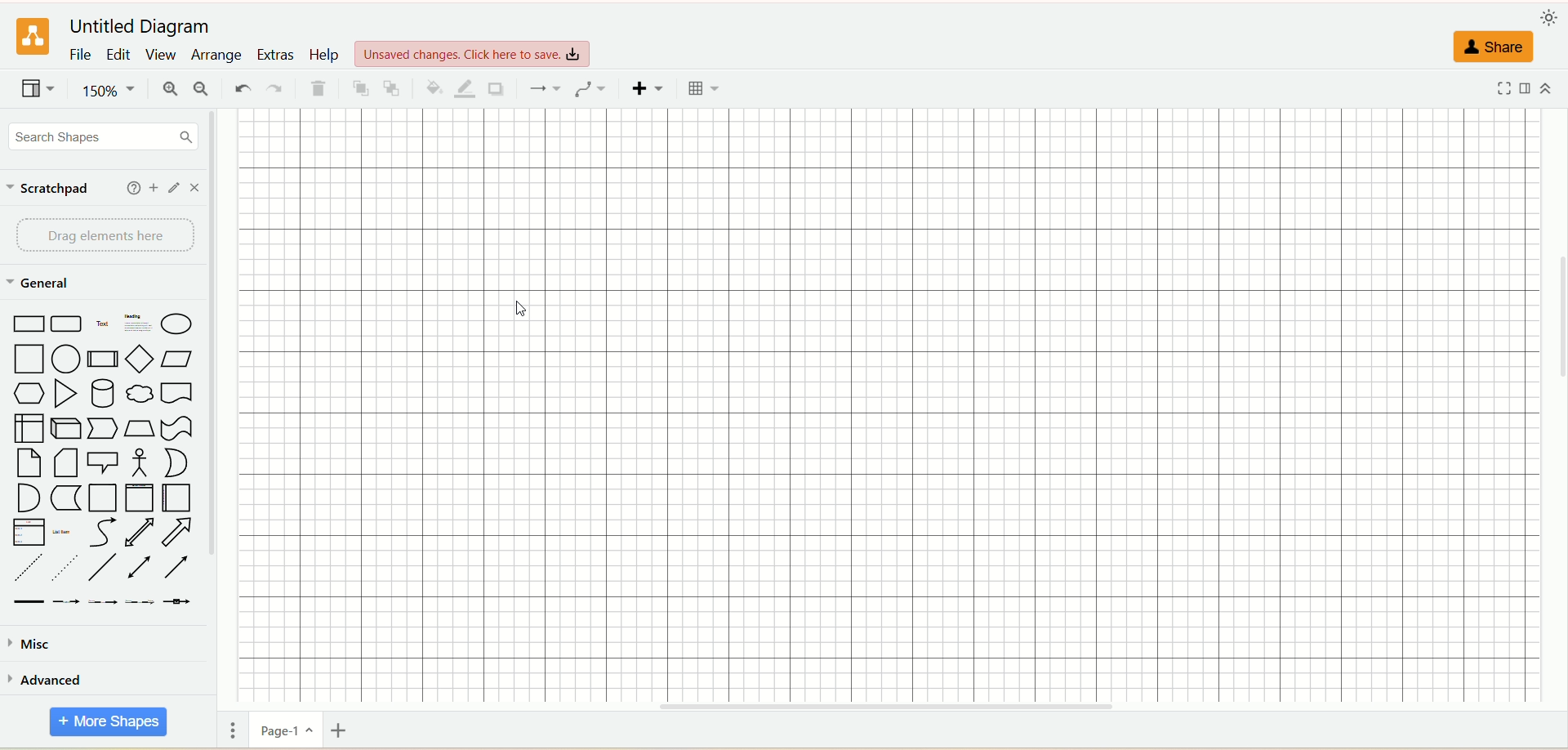 The image size is (1568, 750). I want to click on internal storage, so click(29, 428).